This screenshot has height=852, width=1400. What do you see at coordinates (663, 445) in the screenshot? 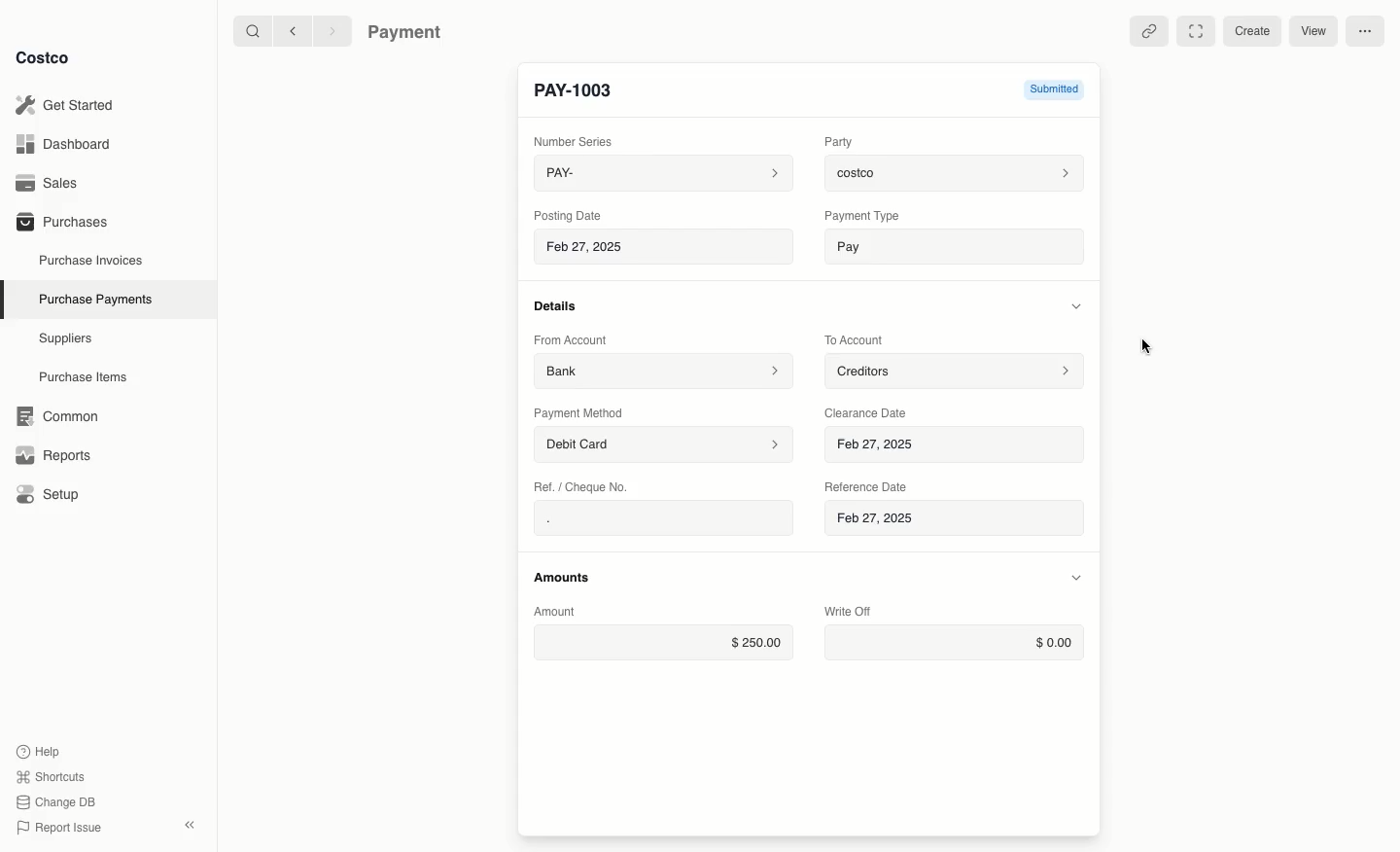
I see `Debit Card` at bounding box center [663, 445].